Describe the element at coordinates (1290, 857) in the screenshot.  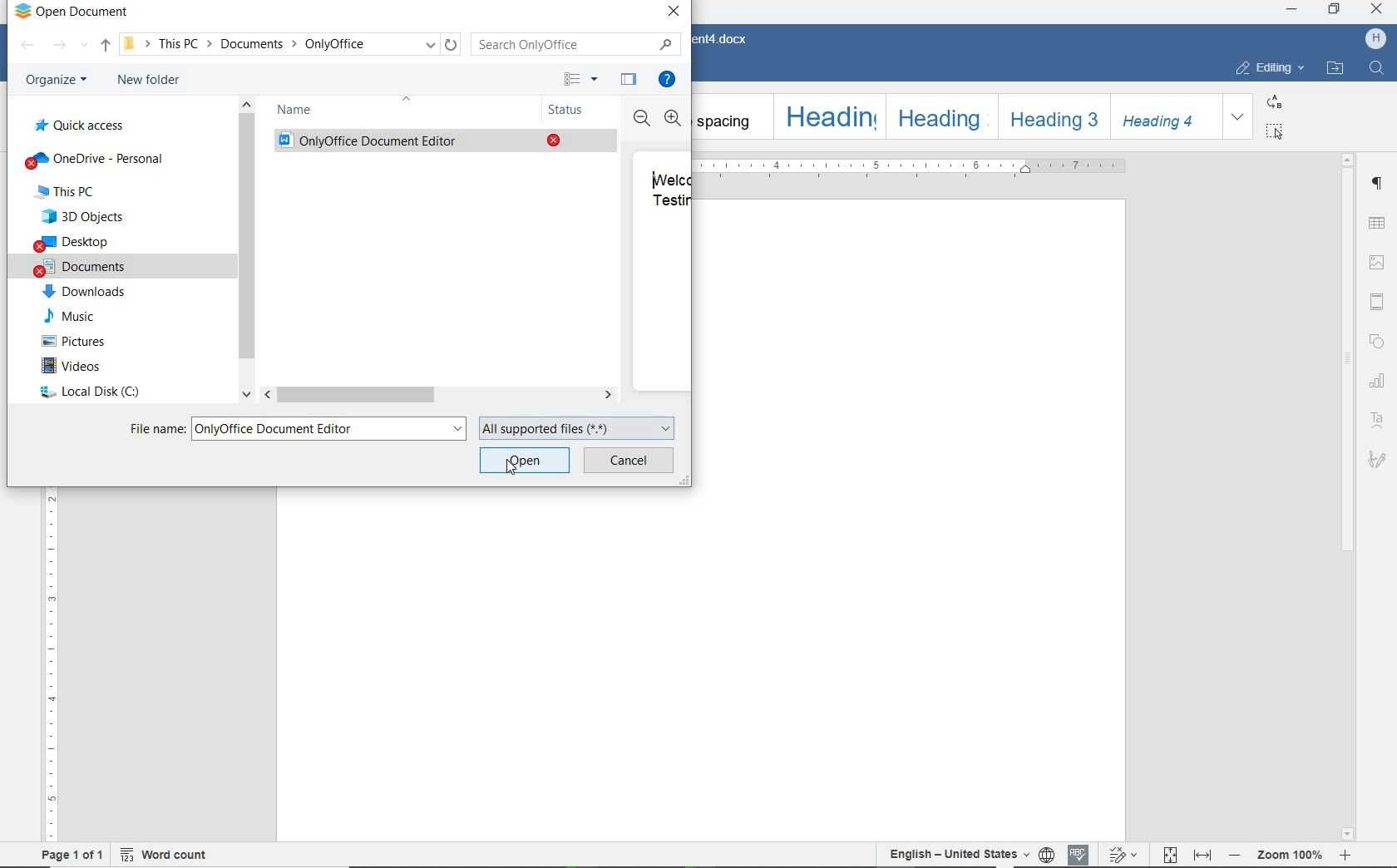
I see `- Zoom 100% +` at that location.